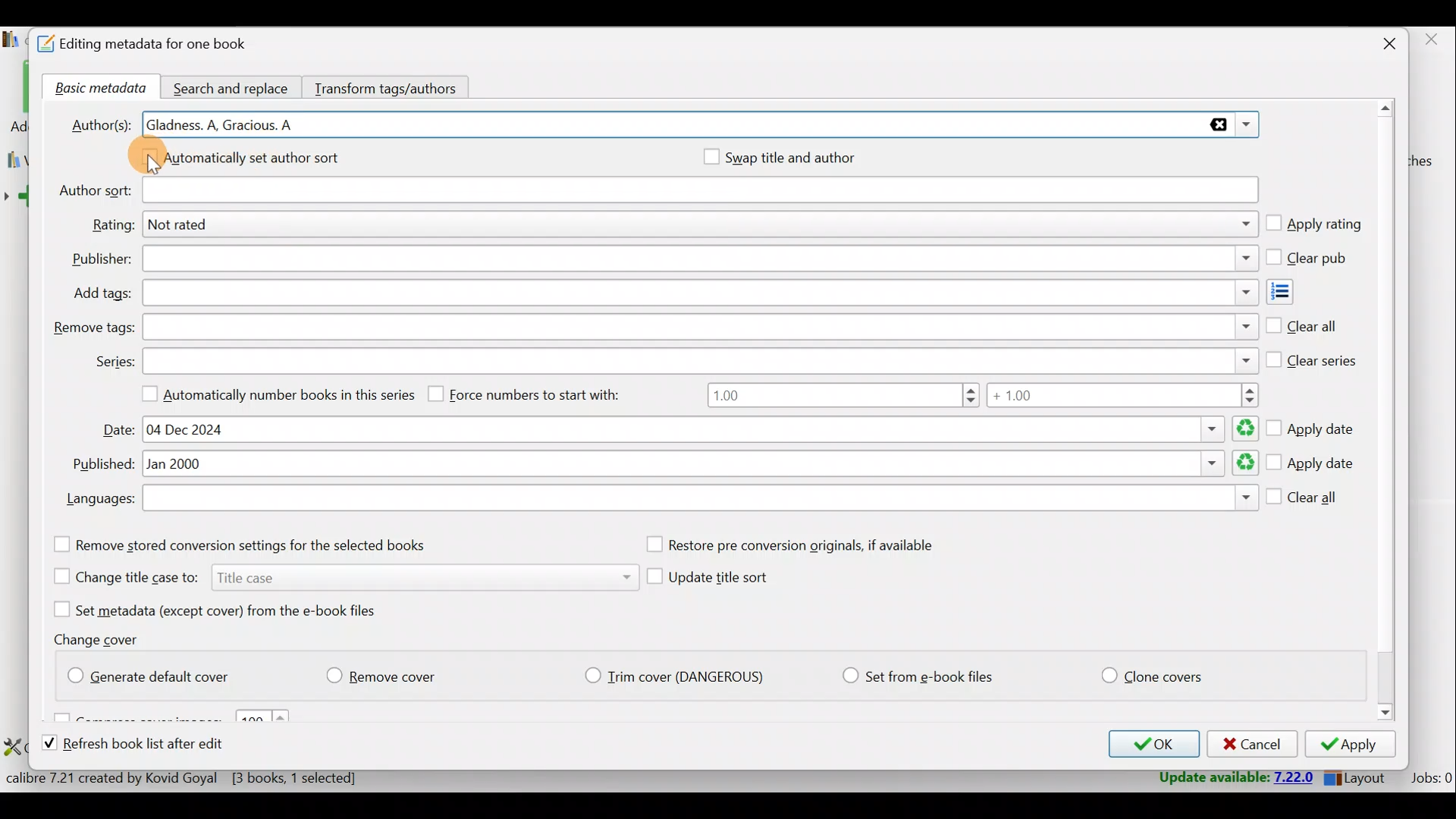  What do you see at coordinates (1149, 673) in the screenshot?
I see `Clone covers` at bounding box center [1149, 673].